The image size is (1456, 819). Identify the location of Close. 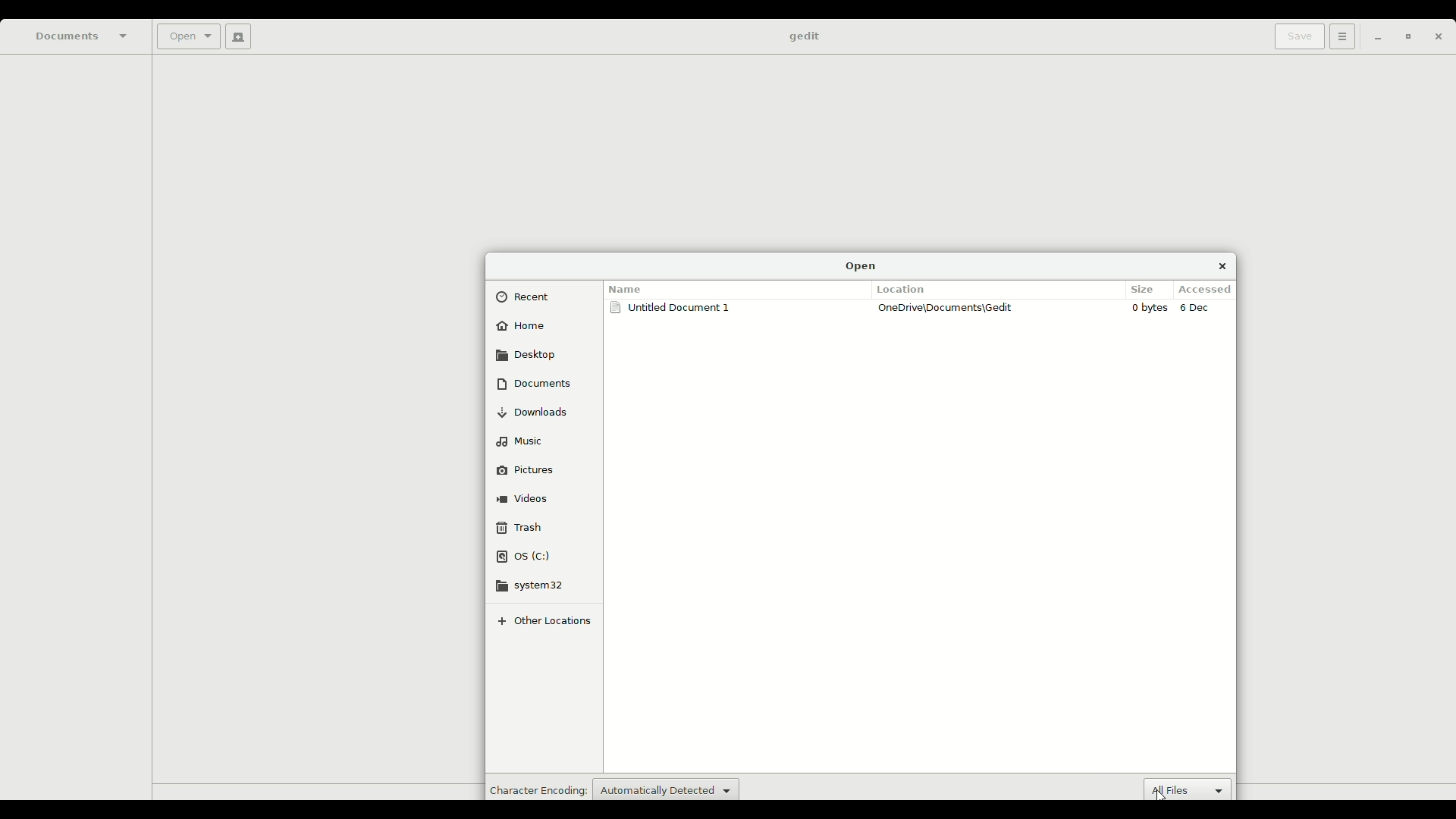
(1438, 39).